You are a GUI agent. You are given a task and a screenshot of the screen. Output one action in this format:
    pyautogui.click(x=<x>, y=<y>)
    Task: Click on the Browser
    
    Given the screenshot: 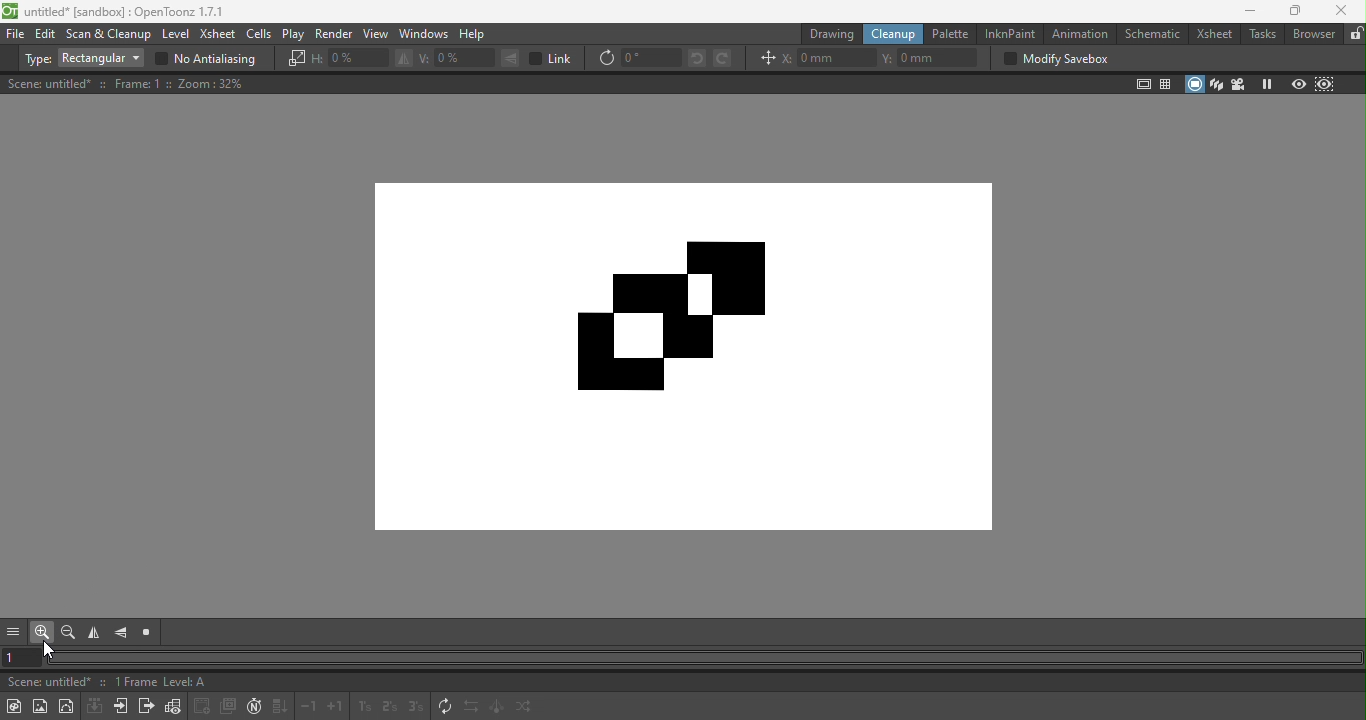 What is the action you would take?
    pyautogui.click(x=1315, y=35)
    